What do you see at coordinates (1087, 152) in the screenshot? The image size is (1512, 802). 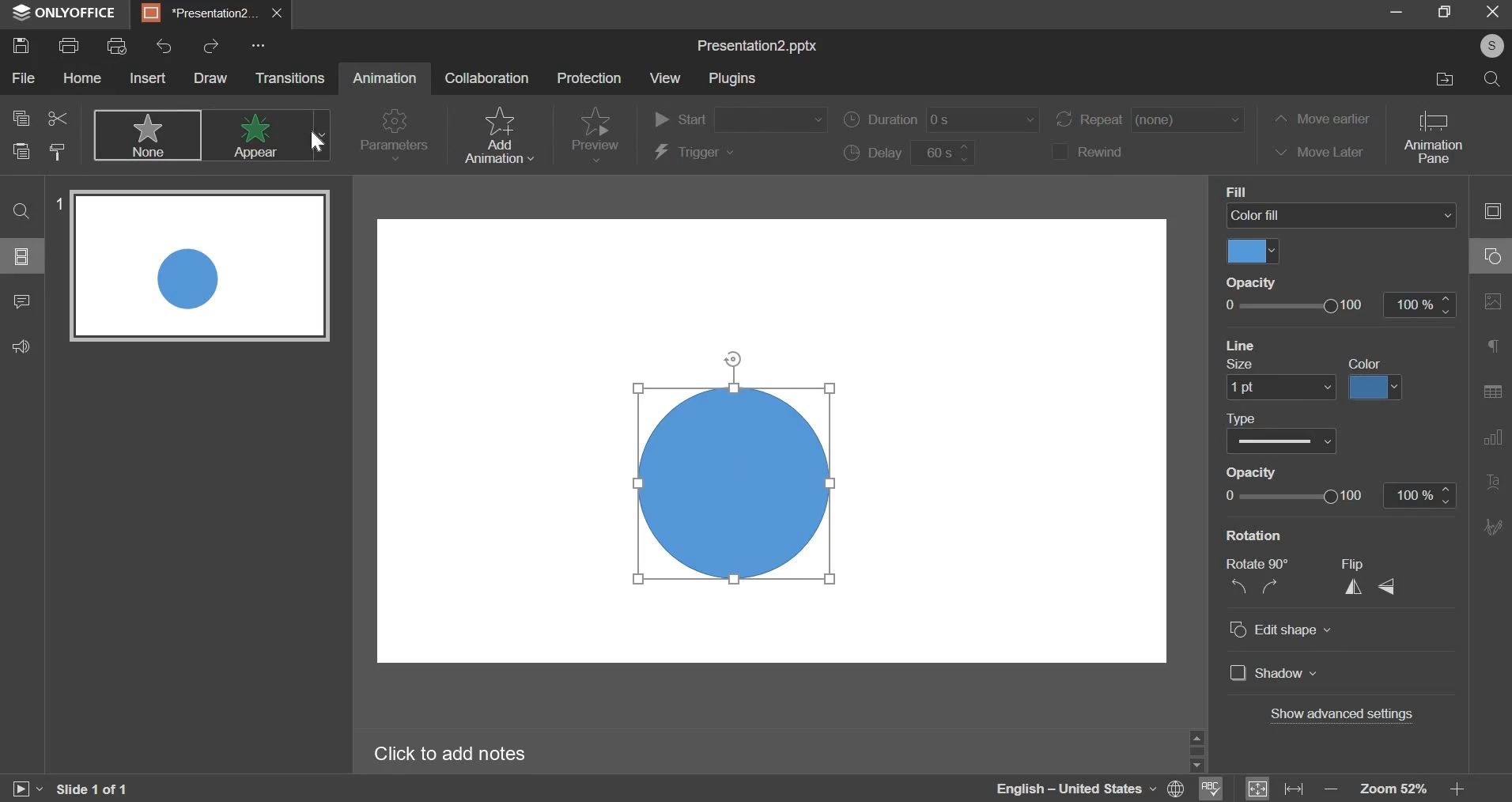 I see `rewind` at bounding box center [1087, 152].